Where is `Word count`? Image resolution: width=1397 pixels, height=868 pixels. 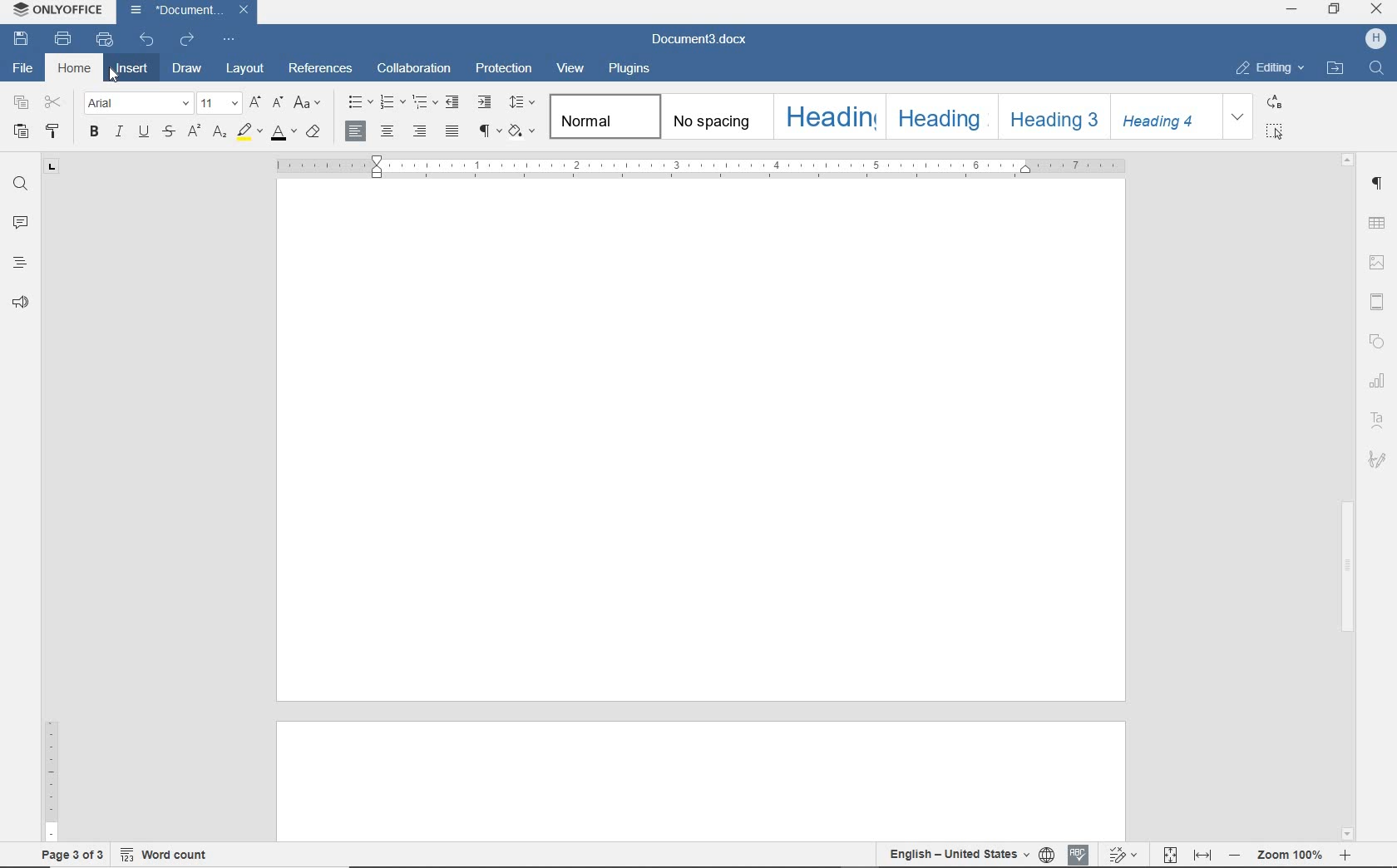 Word count is located at coordinates (172, 852).